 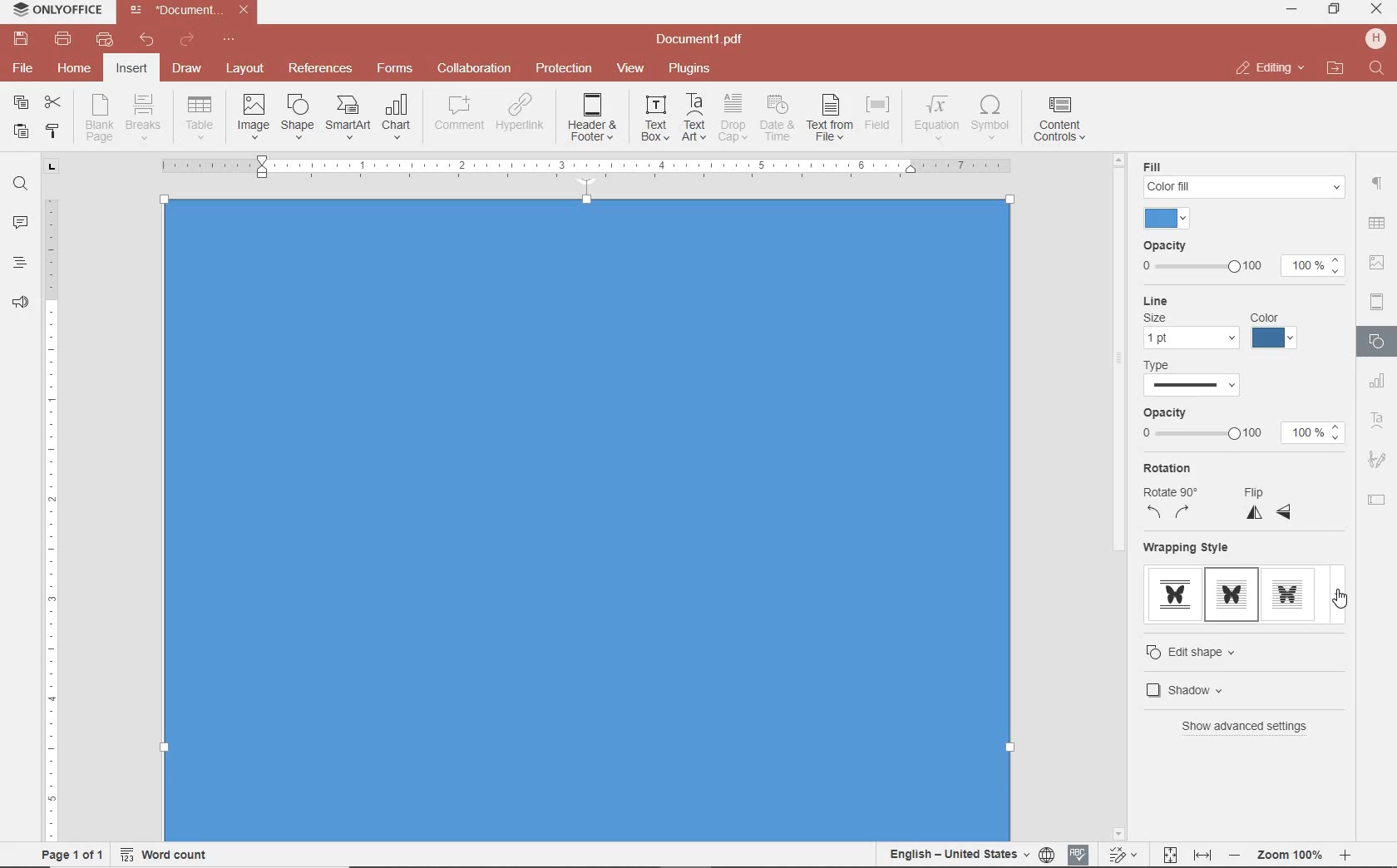 I want to click on SIGNATURE, so click(x=1377, y=461).